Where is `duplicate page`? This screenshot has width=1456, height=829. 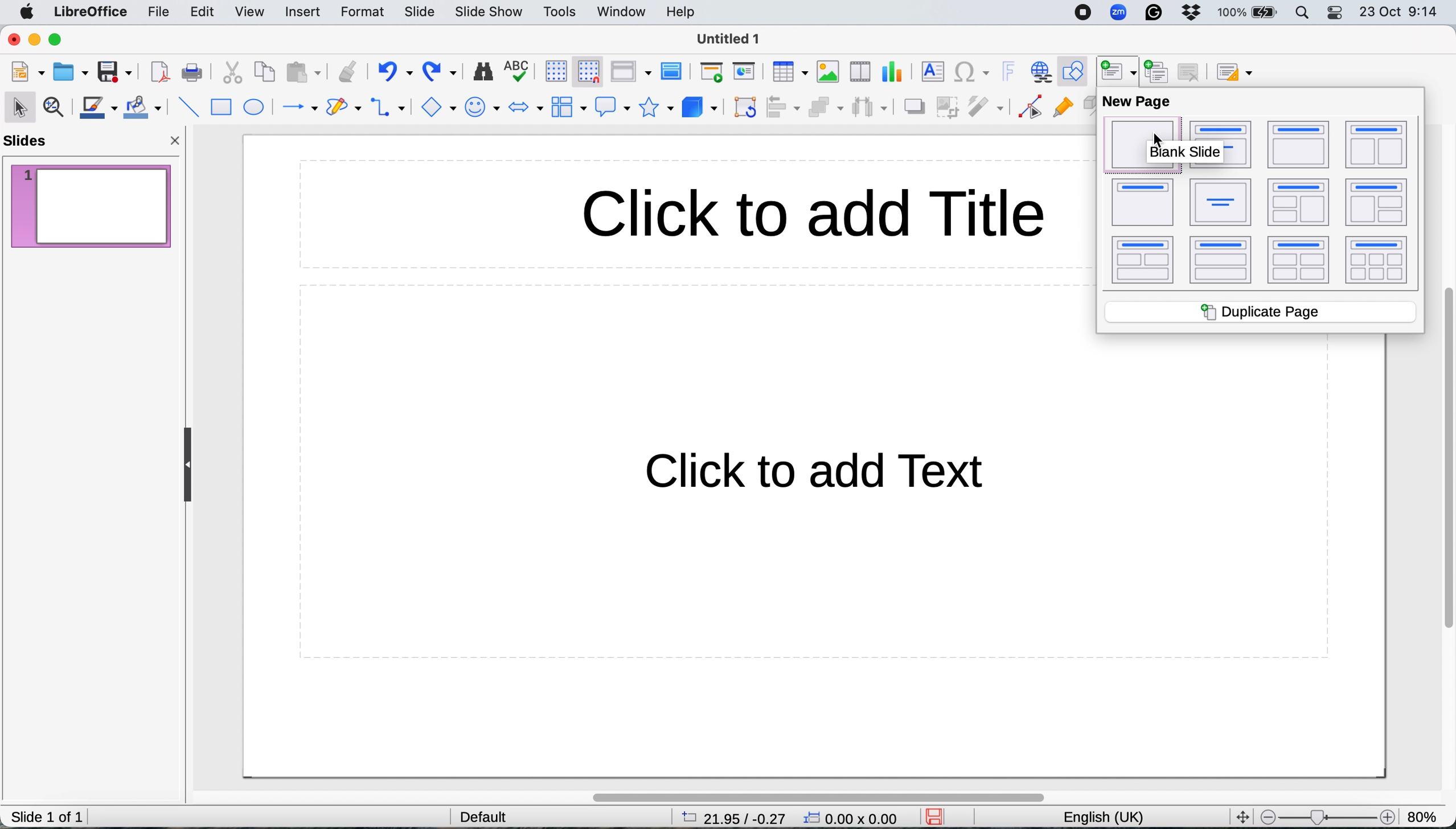 duplicate page is located at coordinates (1261, 310).